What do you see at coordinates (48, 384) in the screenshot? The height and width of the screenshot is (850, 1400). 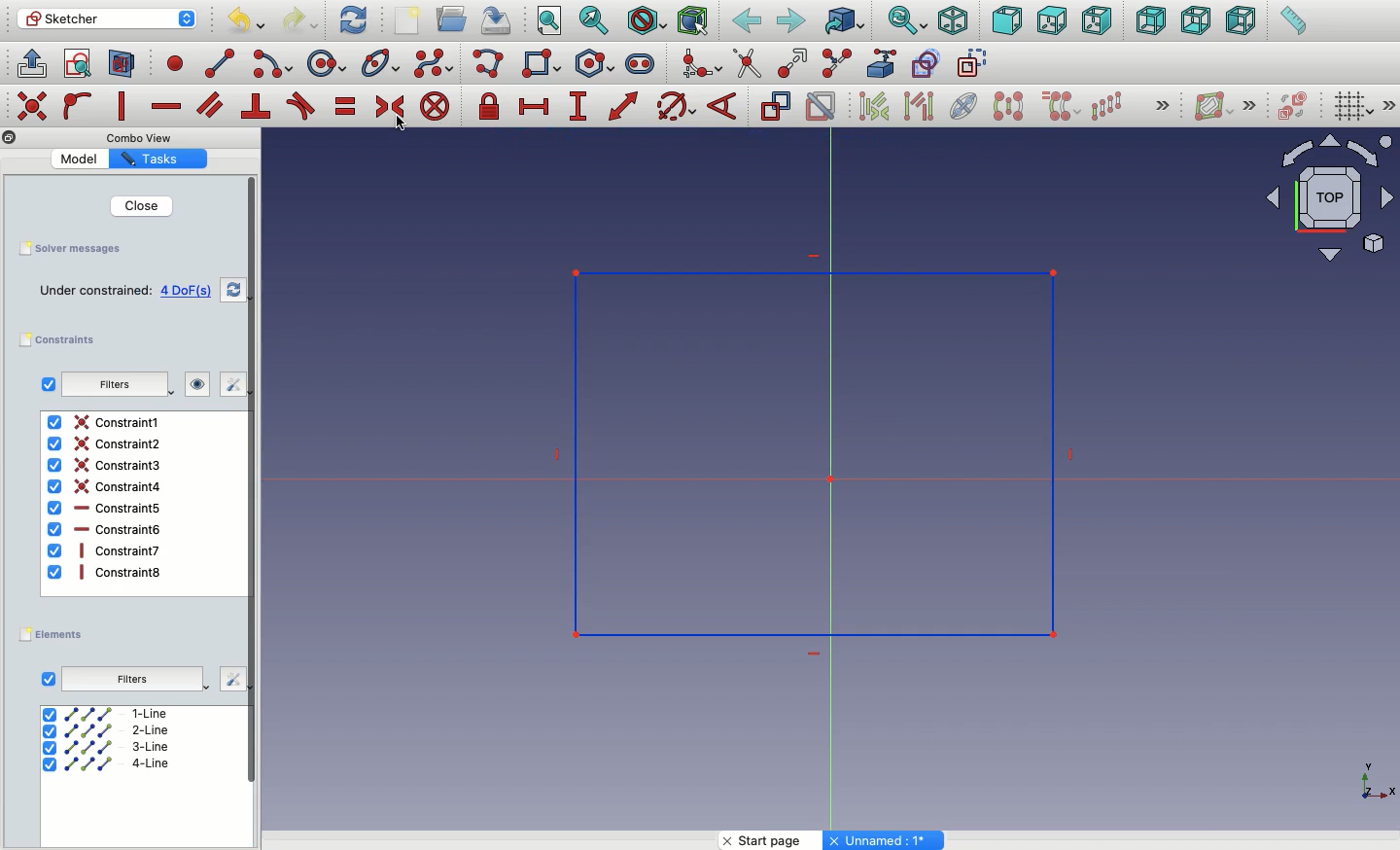 I see `checkbox` at bounding box center [48, 384].